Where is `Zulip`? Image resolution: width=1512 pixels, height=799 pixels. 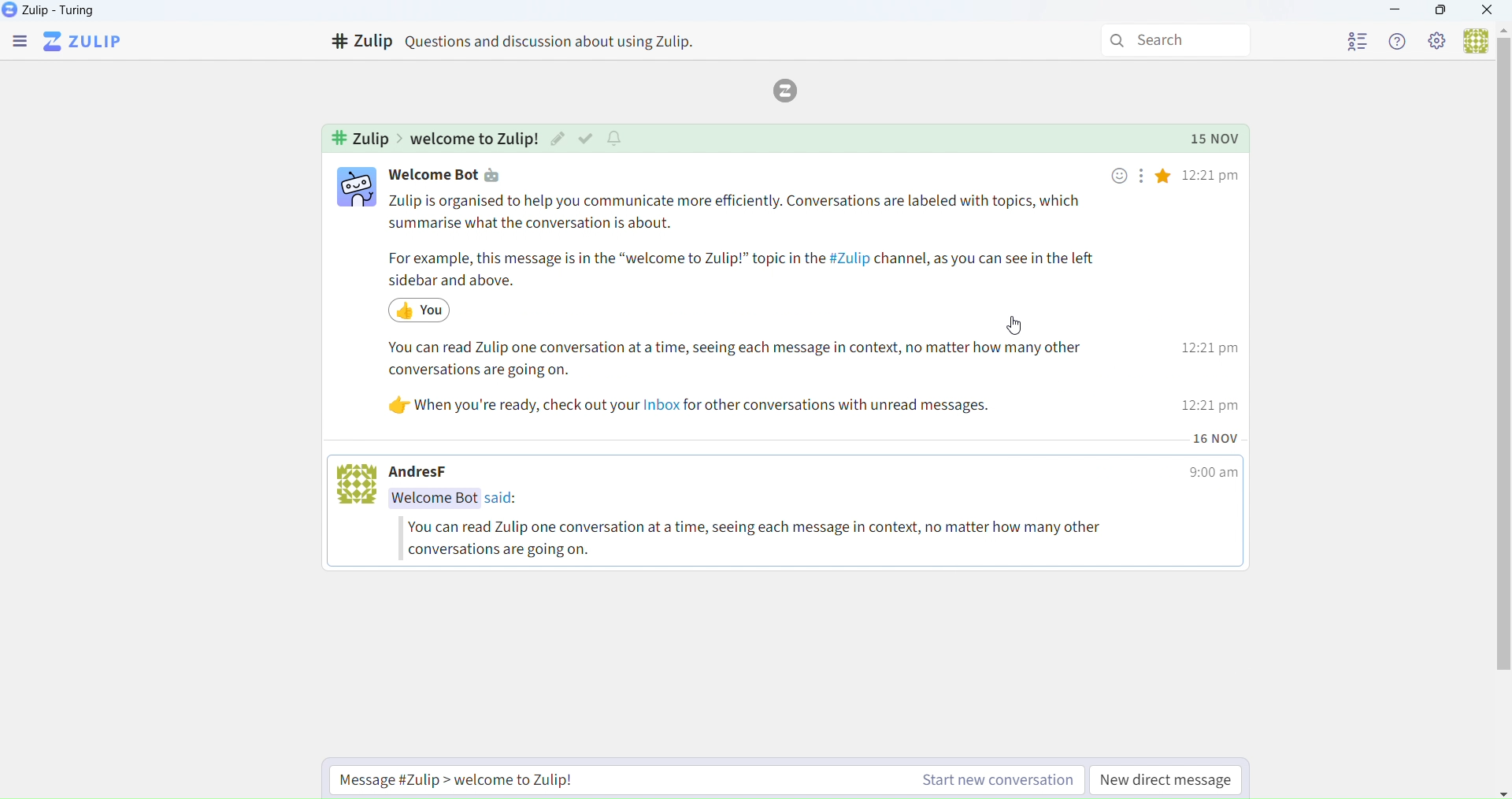 Zulip is located at coordinates (86, 40).